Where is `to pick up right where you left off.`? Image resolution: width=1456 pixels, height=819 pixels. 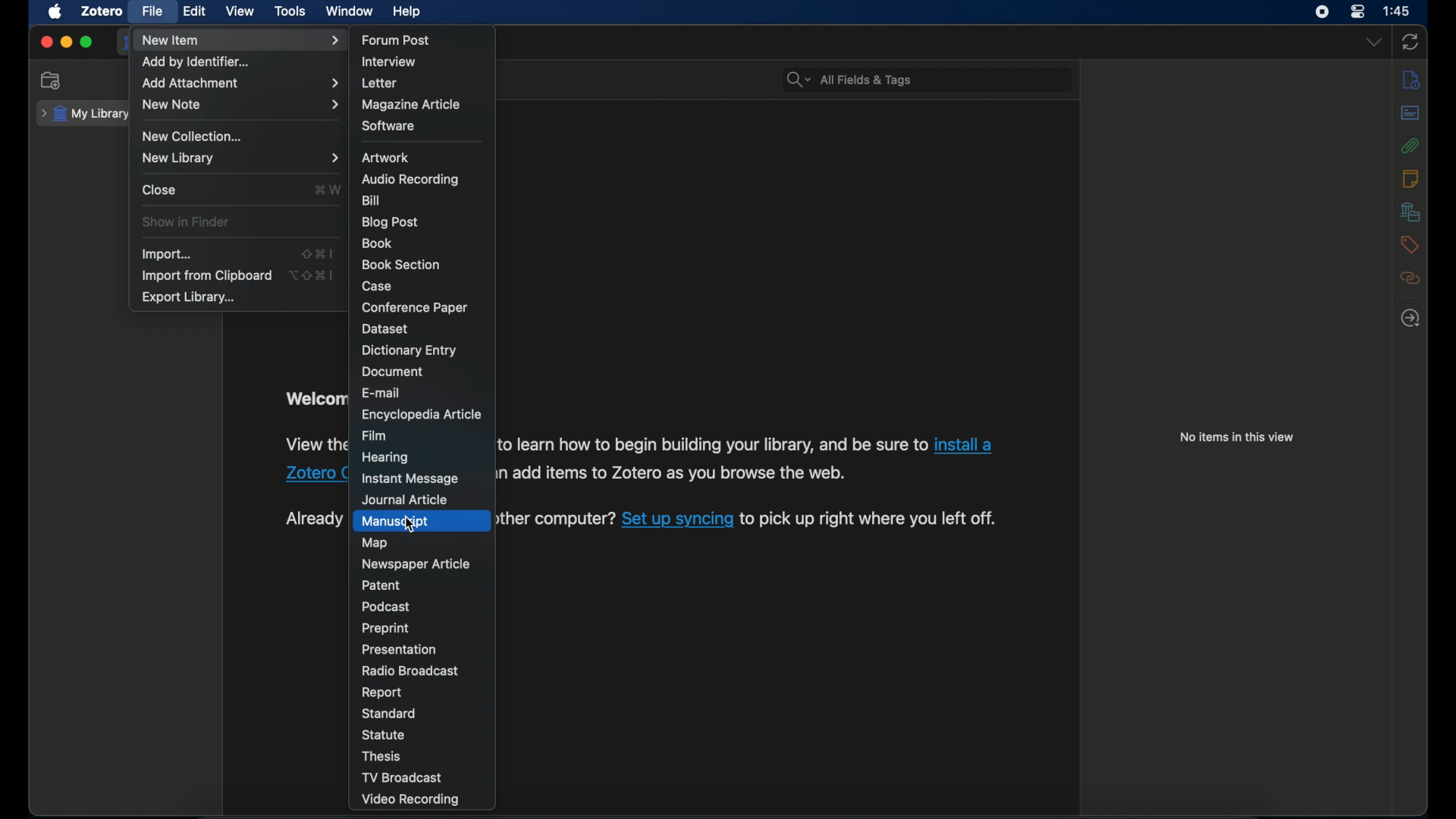 to pick up right where you left off. is located at coordinates (871, 518).